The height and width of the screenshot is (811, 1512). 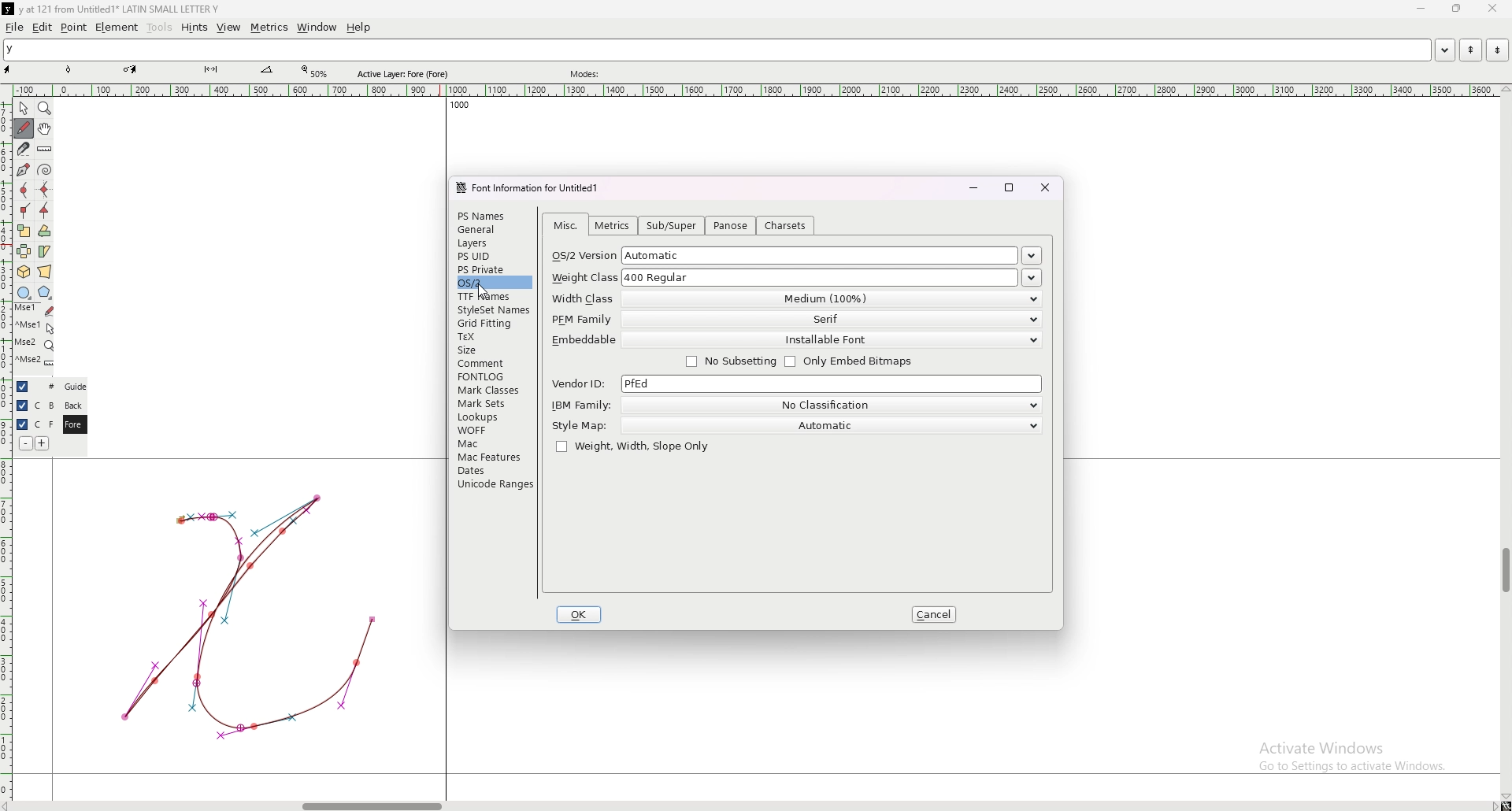 What do you see at coordinates (795, 298) in the screenshot?
I see `width class medium 100%` at bounding box center [795, 298].